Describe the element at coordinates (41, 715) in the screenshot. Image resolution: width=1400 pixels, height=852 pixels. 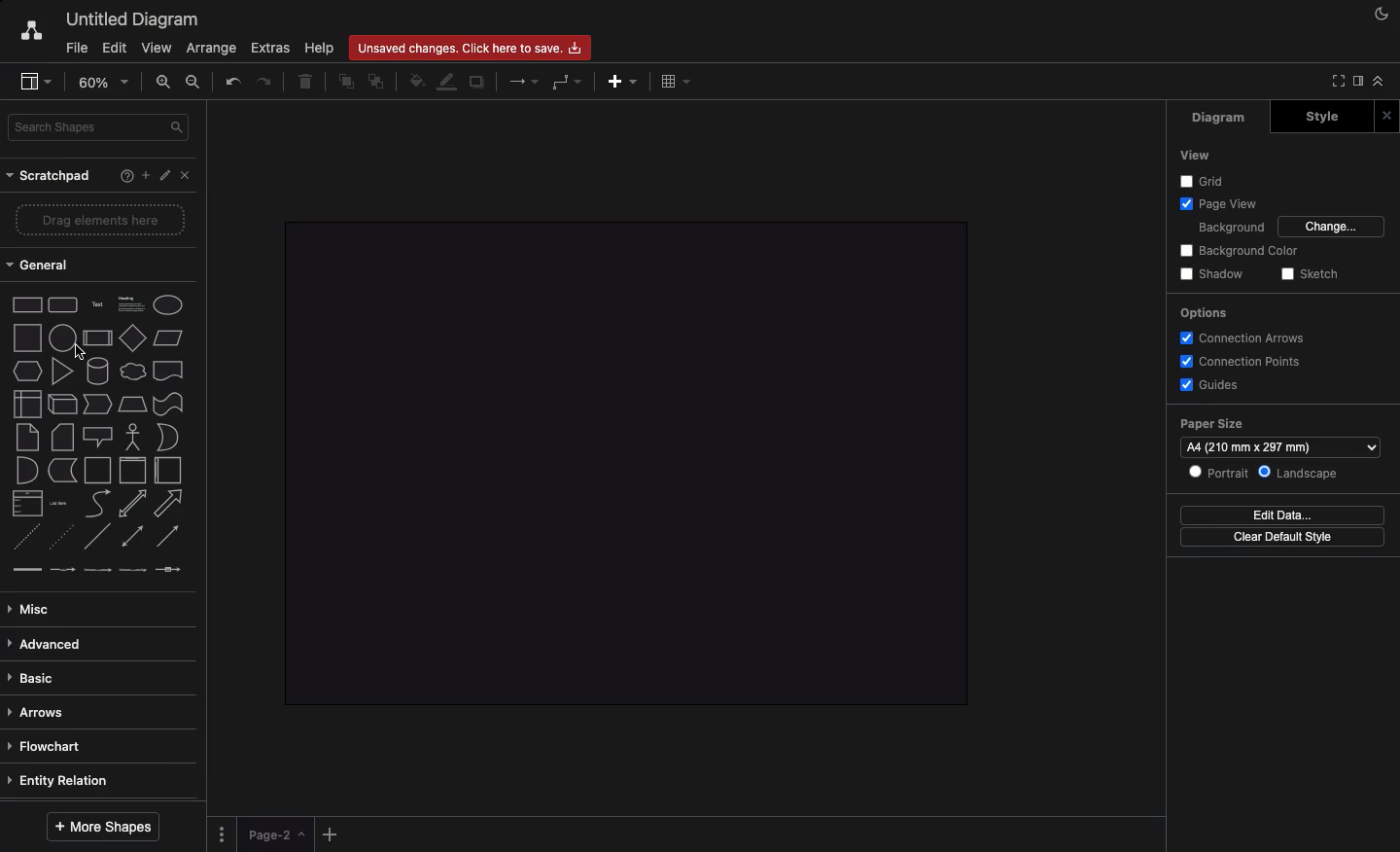
I see `Arrows` at that location.